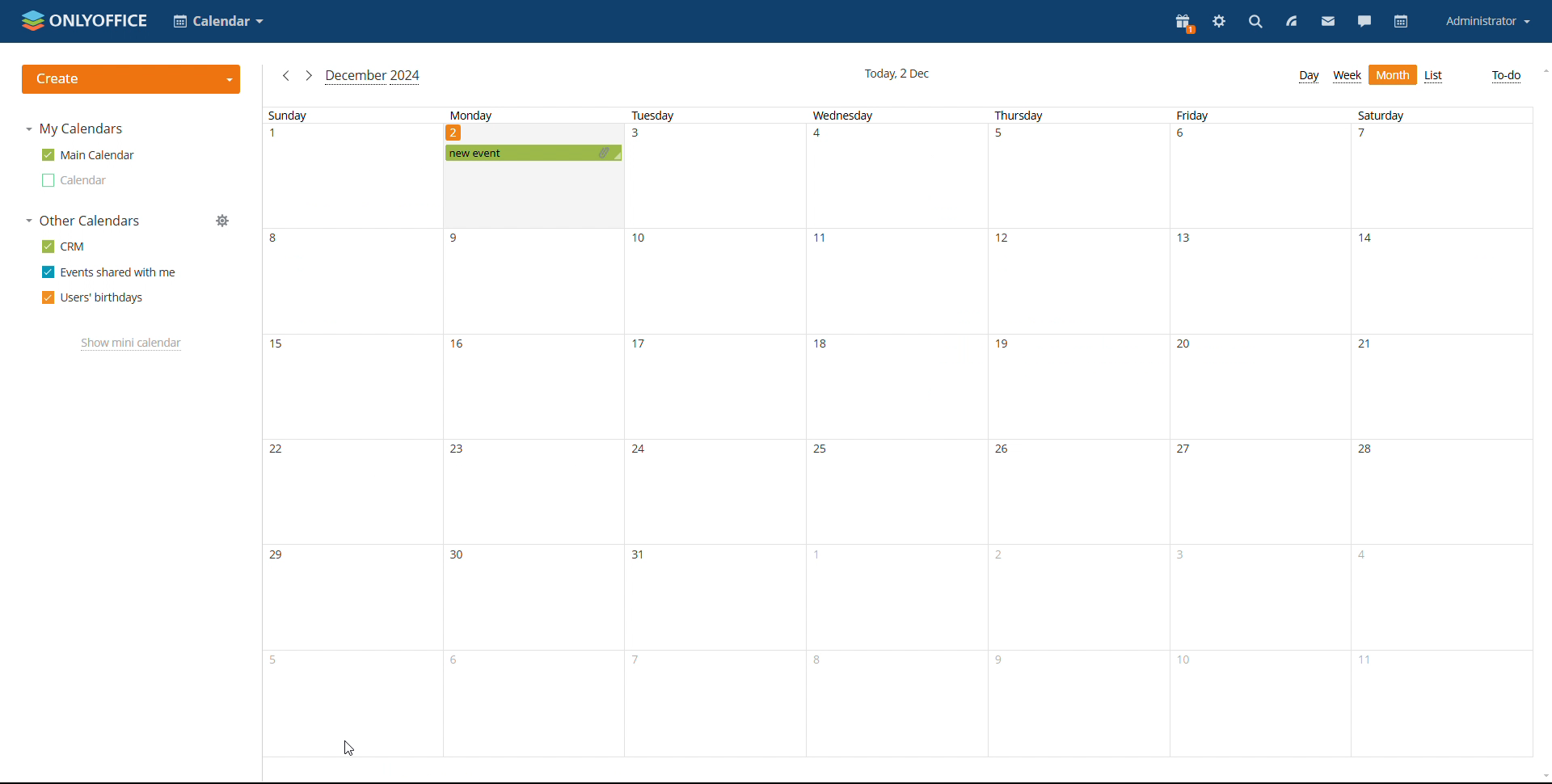 The image size is (1552, 784). I want to click on calendar, so click(1401, 21).